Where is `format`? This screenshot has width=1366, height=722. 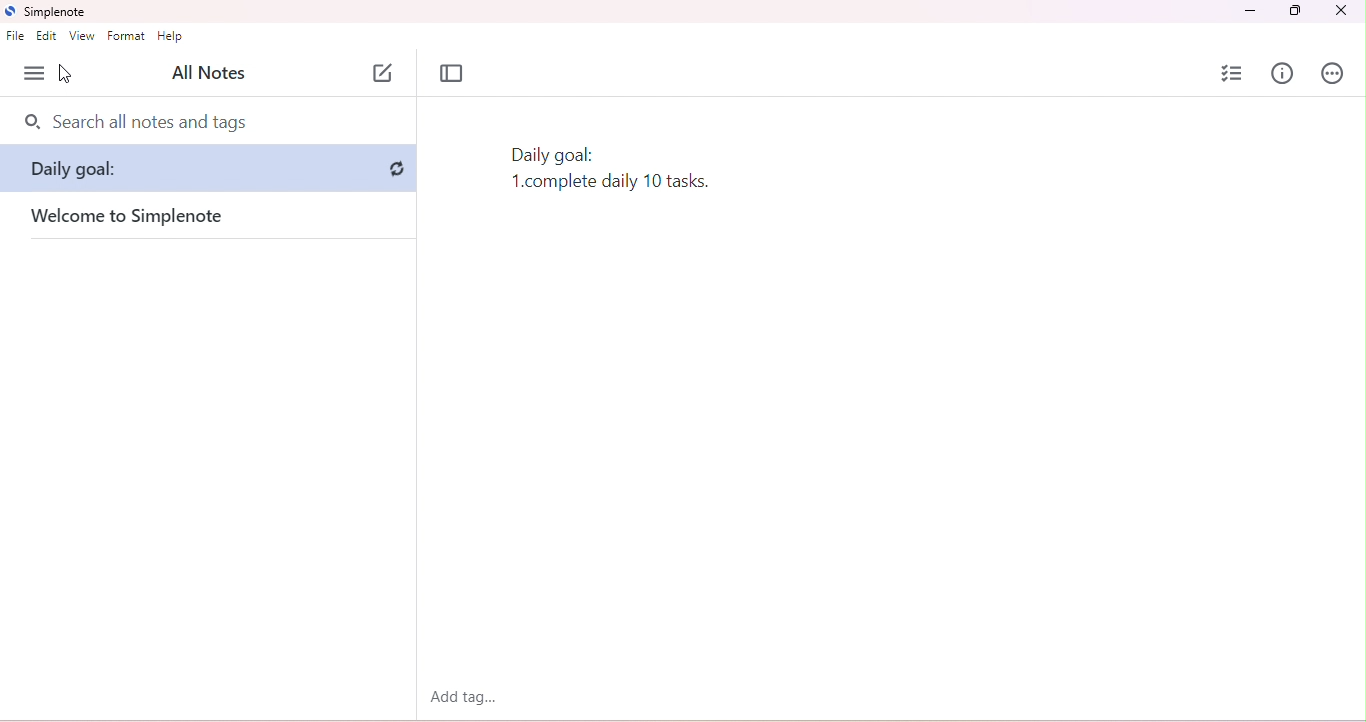 format is located at coordinates (127, 36).